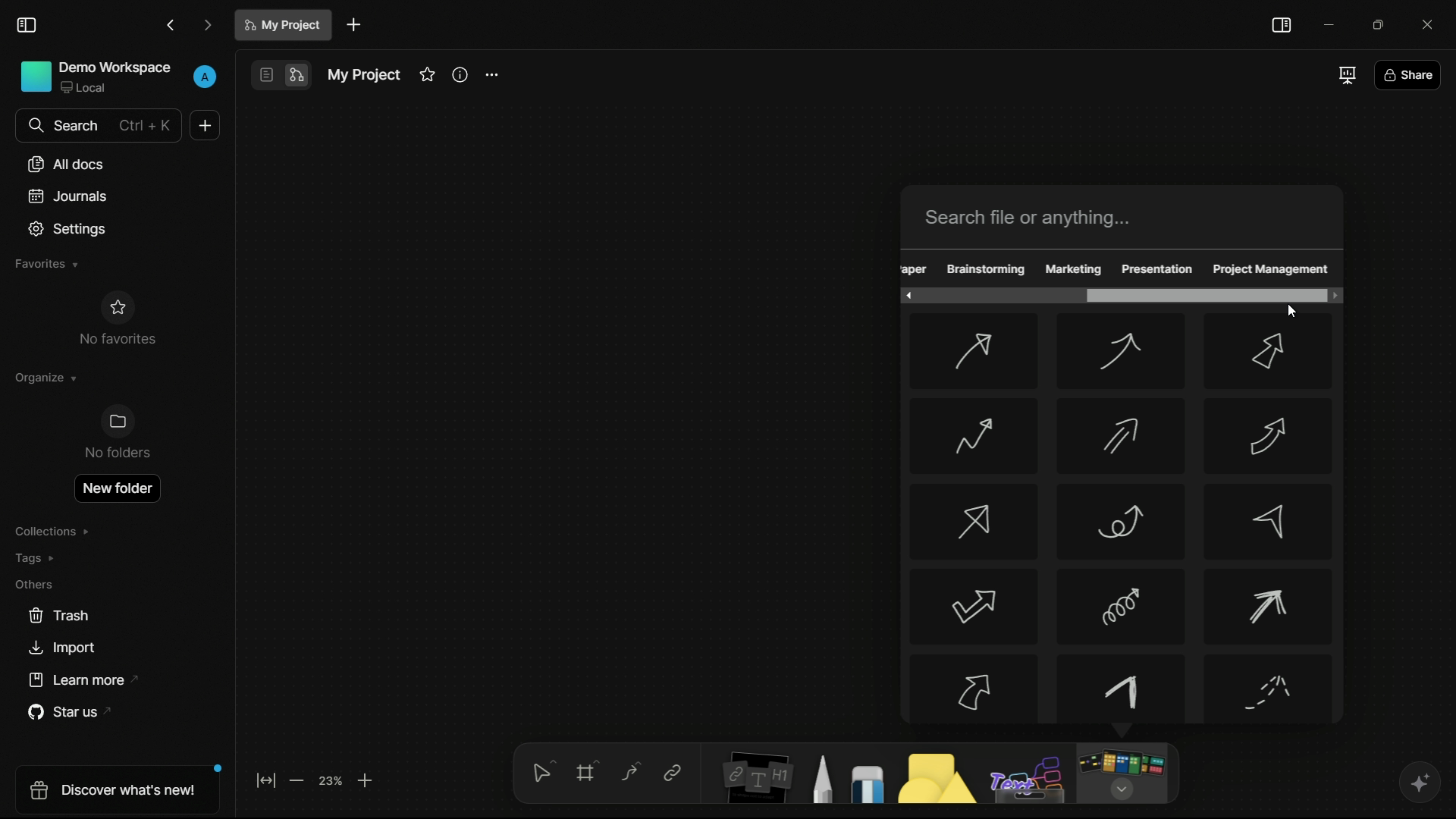  Describe the element at coordinates (974, 521) in the screenshot. I see `arrow-7` at that location.